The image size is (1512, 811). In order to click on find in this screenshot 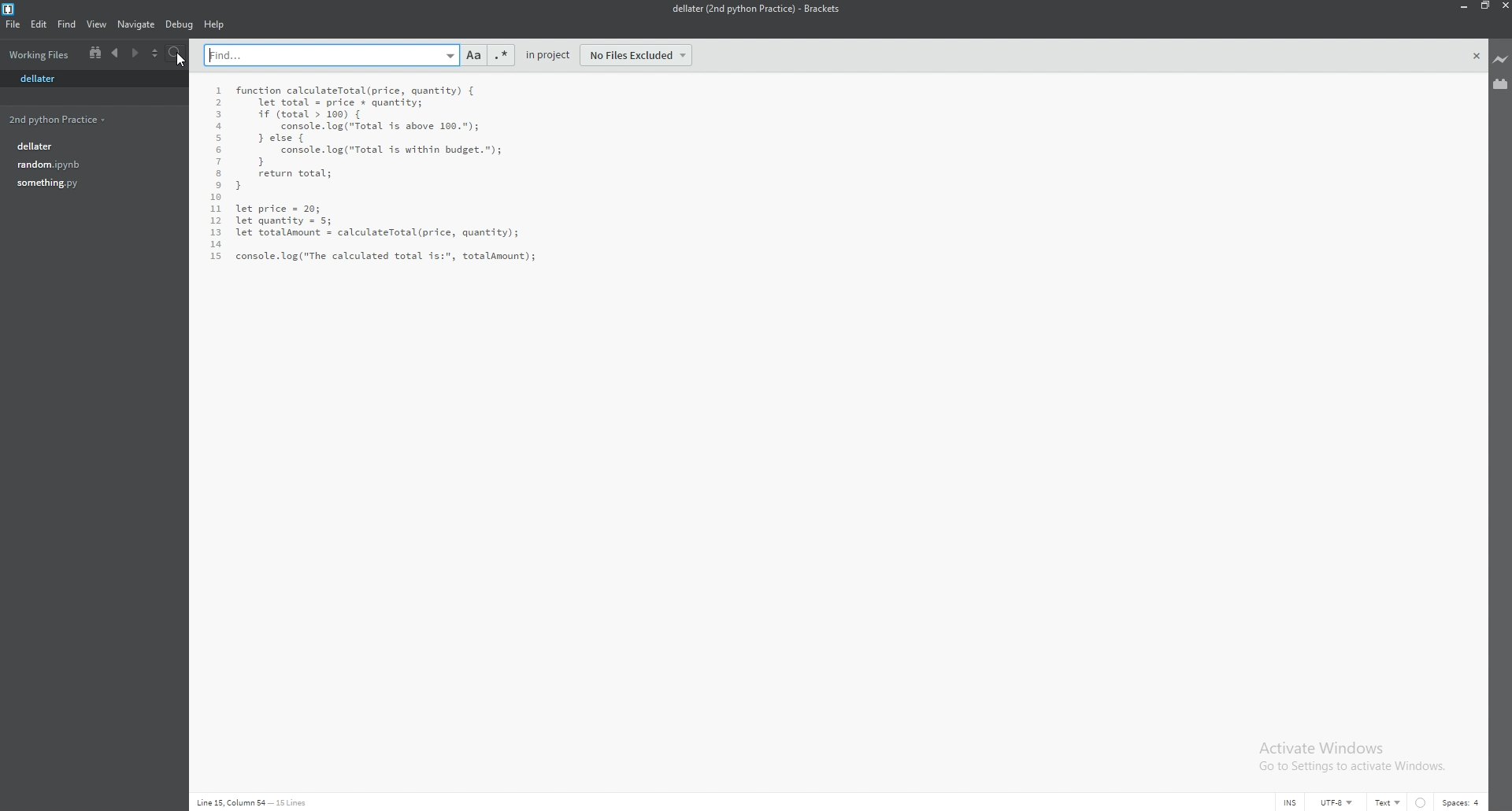, I will do `click(65, 24)`.